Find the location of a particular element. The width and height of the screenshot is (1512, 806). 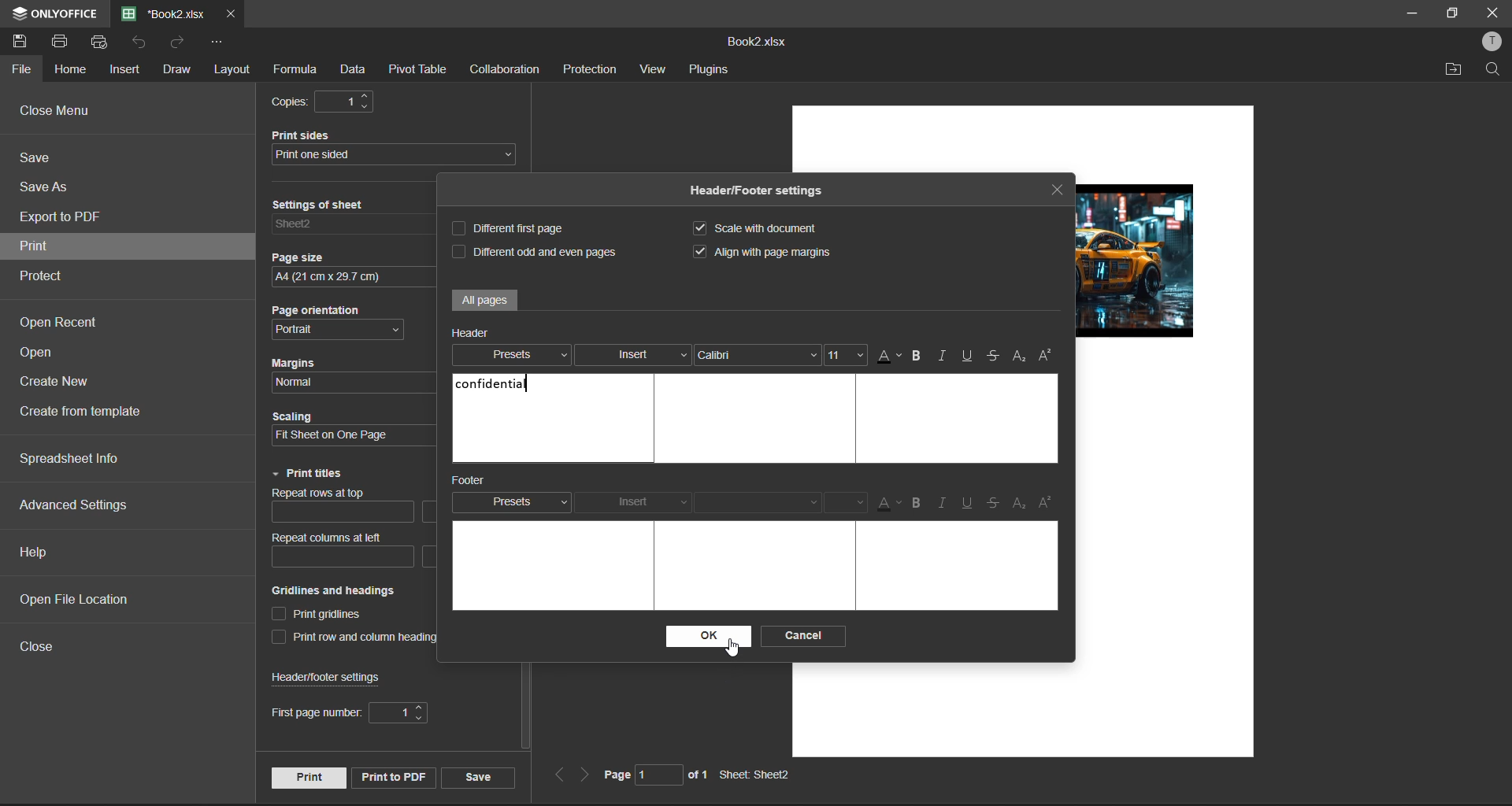

open file location is located at coordinates (76, 599).